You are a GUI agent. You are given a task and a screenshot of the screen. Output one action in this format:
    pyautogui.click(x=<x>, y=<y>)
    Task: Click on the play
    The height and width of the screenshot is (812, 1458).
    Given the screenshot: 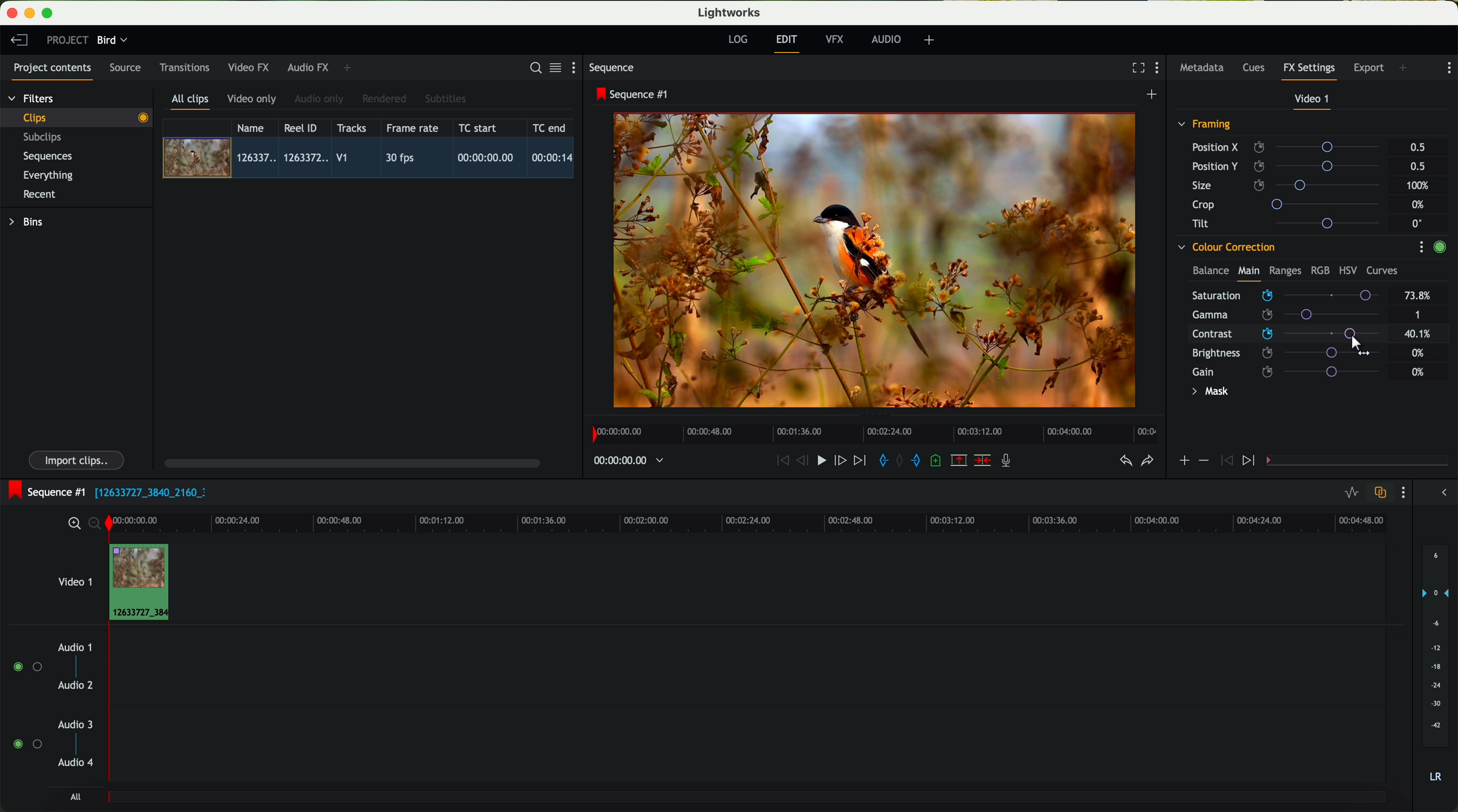 What is the action you would take?
    pyautogui.click(x=821, y=459)
    